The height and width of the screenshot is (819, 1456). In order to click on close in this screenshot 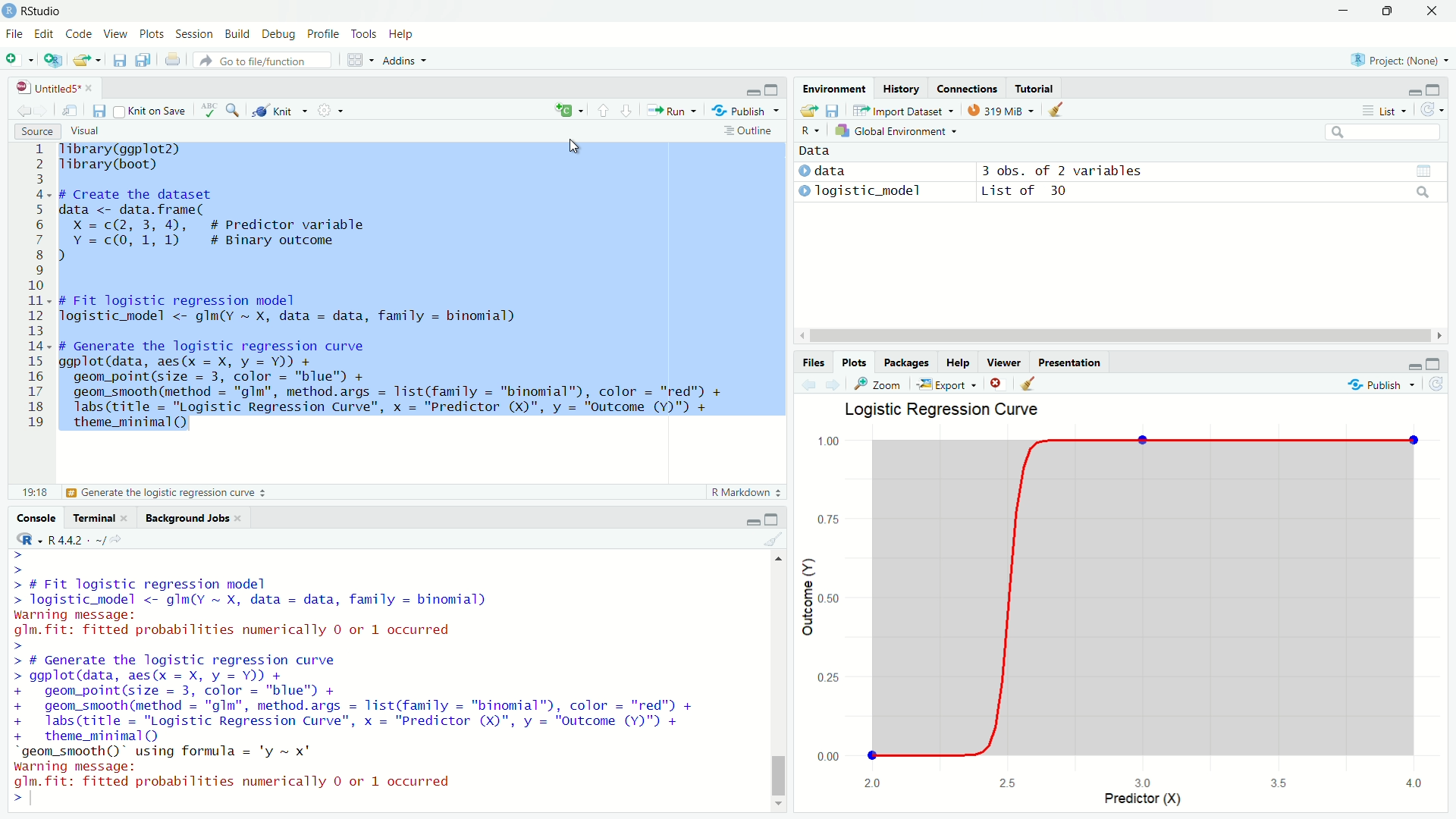, I will do `click(237, 518)`.